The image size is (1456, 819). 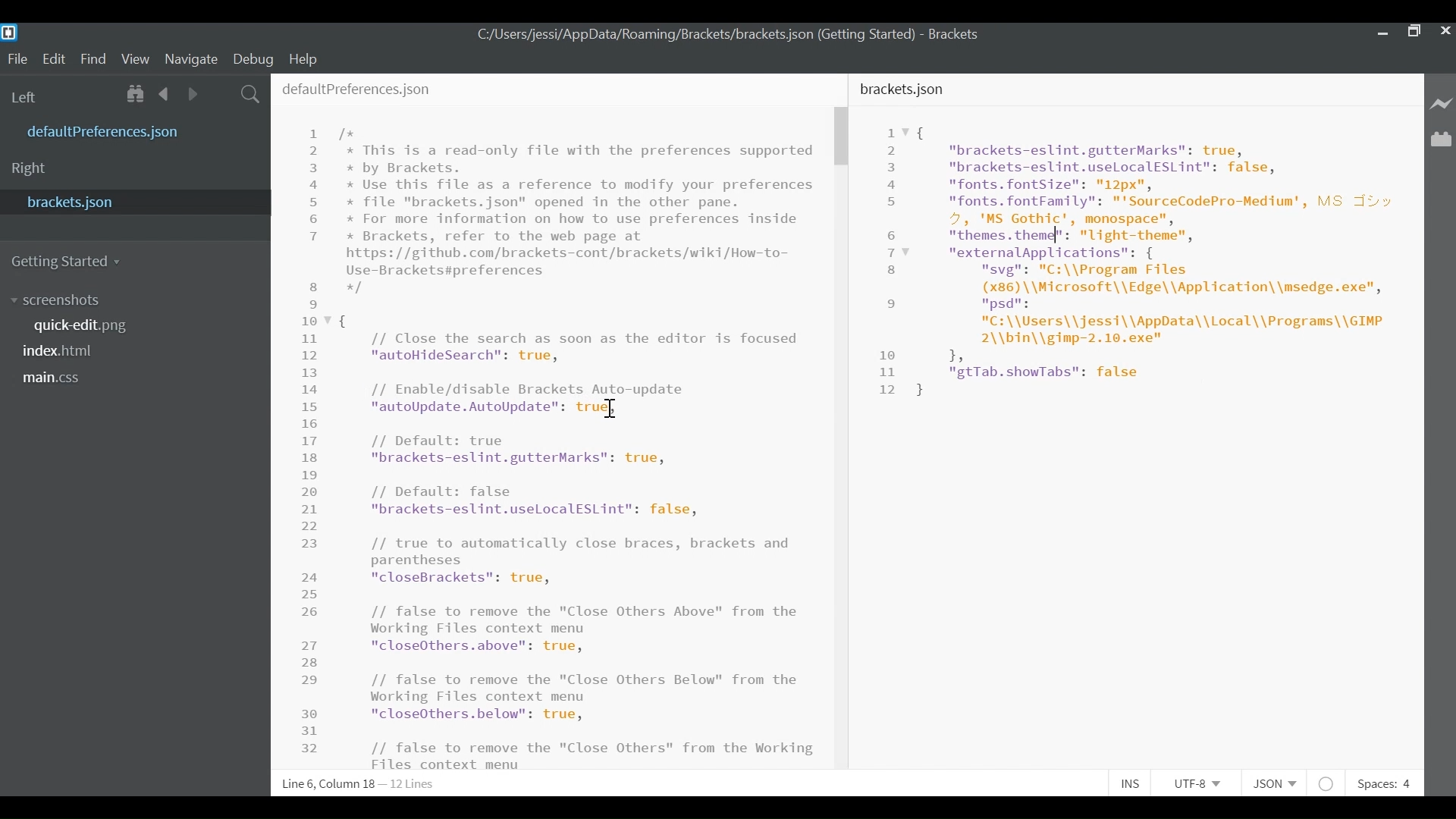 What do you see at coordinates (251, 93) in the screenshot?
I see `Find In Files` at bounding box center [251, 93].